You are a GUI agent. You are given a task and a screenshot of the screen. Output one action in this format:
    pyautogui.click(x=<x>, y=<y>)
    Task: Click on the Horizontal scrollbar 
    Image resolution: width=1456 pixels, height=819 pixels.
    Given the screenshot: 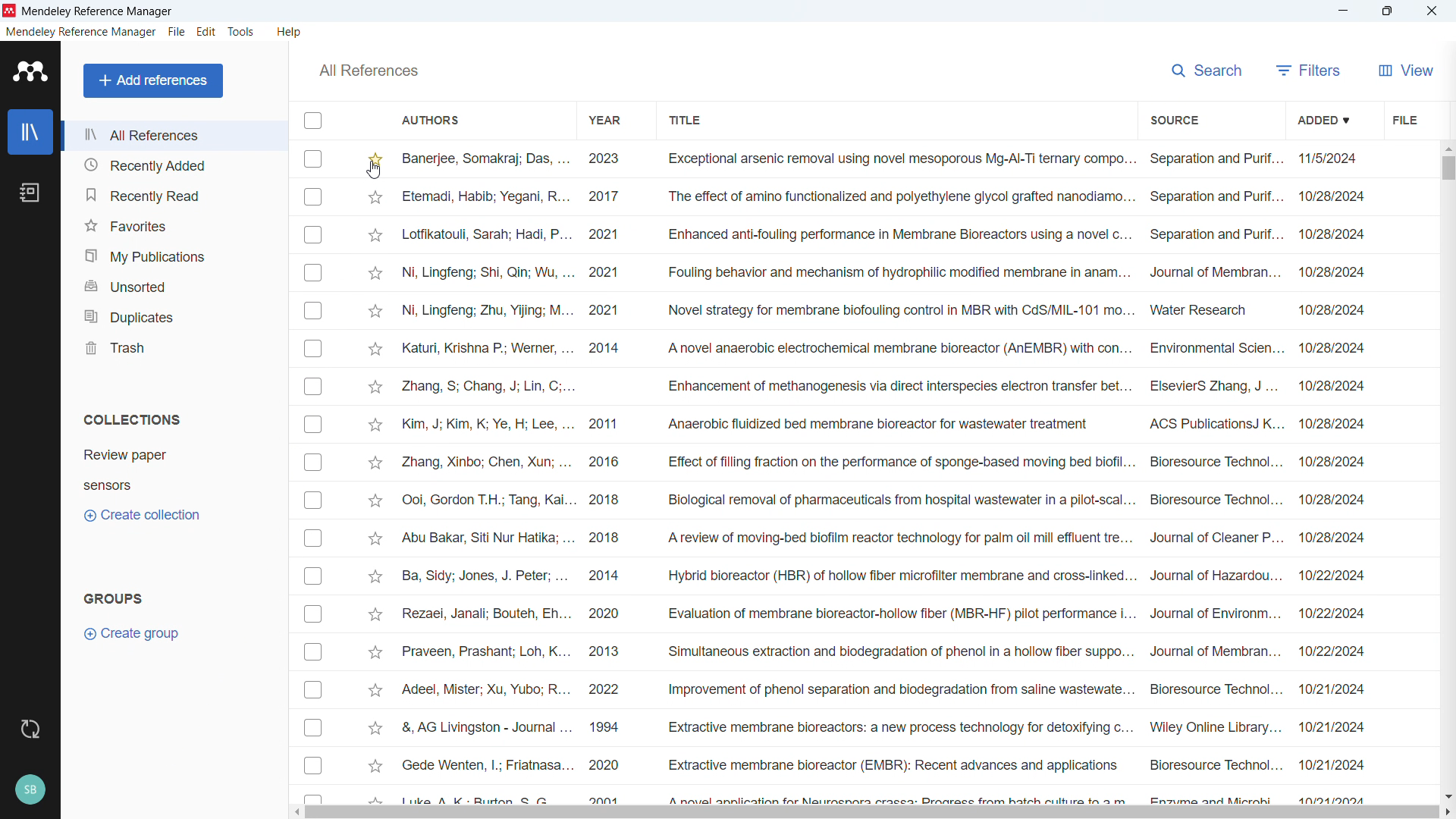 What is the action you would take?
    pyautogui.click(x=871, y=812)
    